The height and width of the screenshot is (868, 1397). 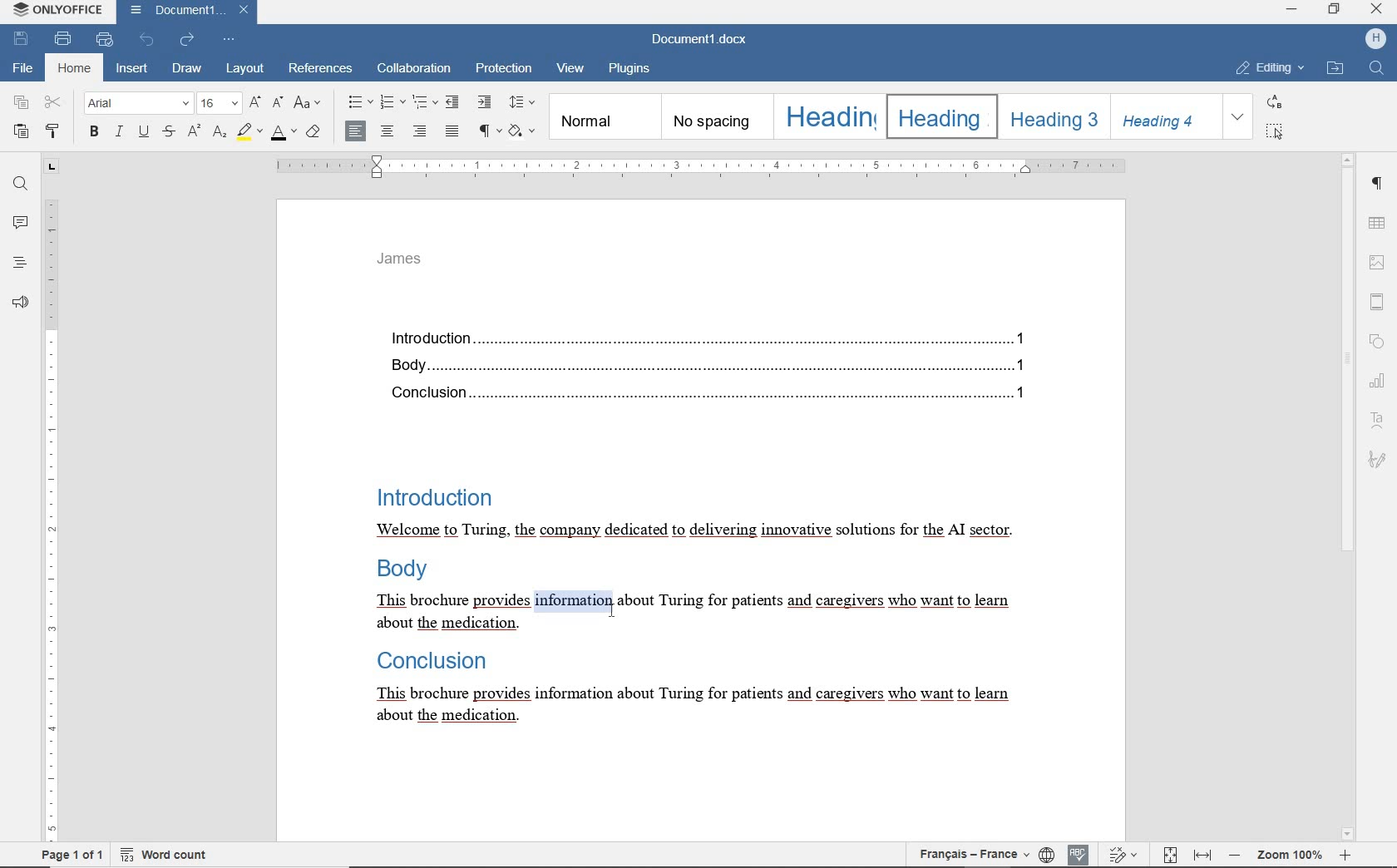 I want to click on COPY, so click(x=21, y=102).